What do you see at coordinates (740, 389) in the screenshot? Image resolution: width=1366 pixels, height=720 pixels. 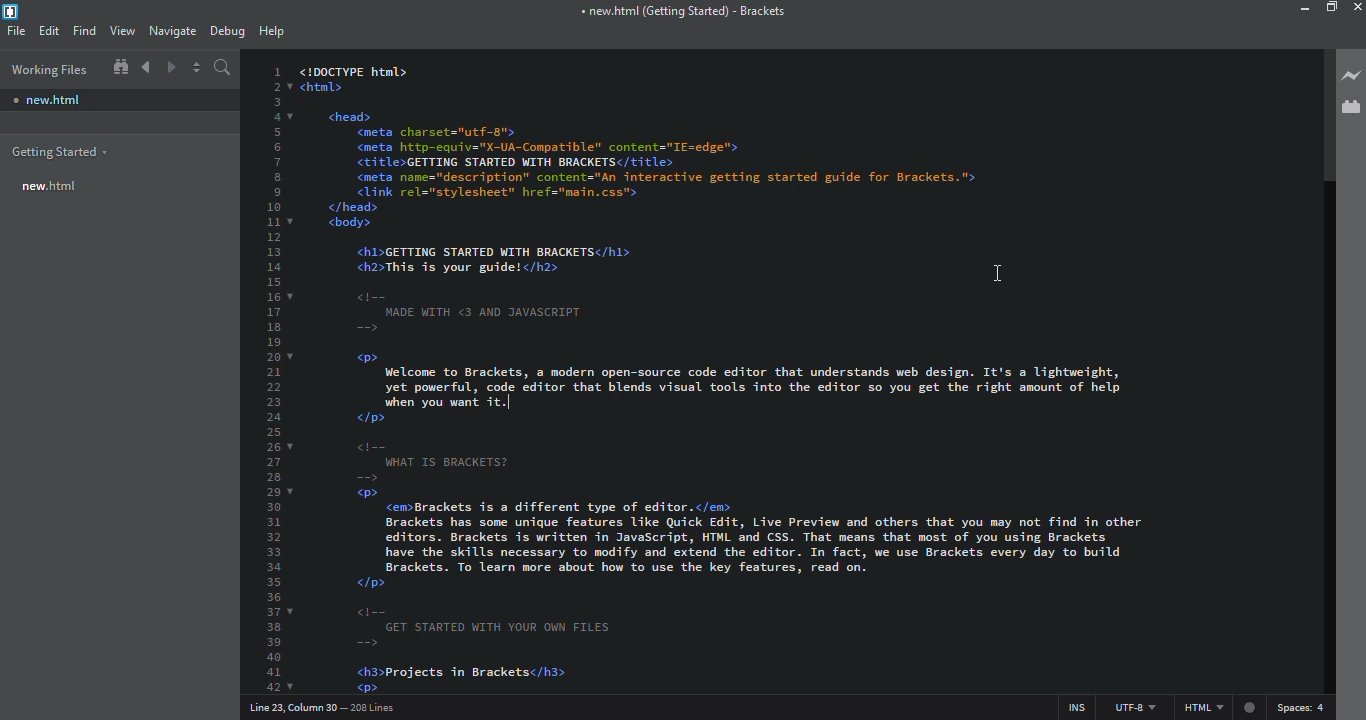 I see `line down` at bounding box center [740, 389].